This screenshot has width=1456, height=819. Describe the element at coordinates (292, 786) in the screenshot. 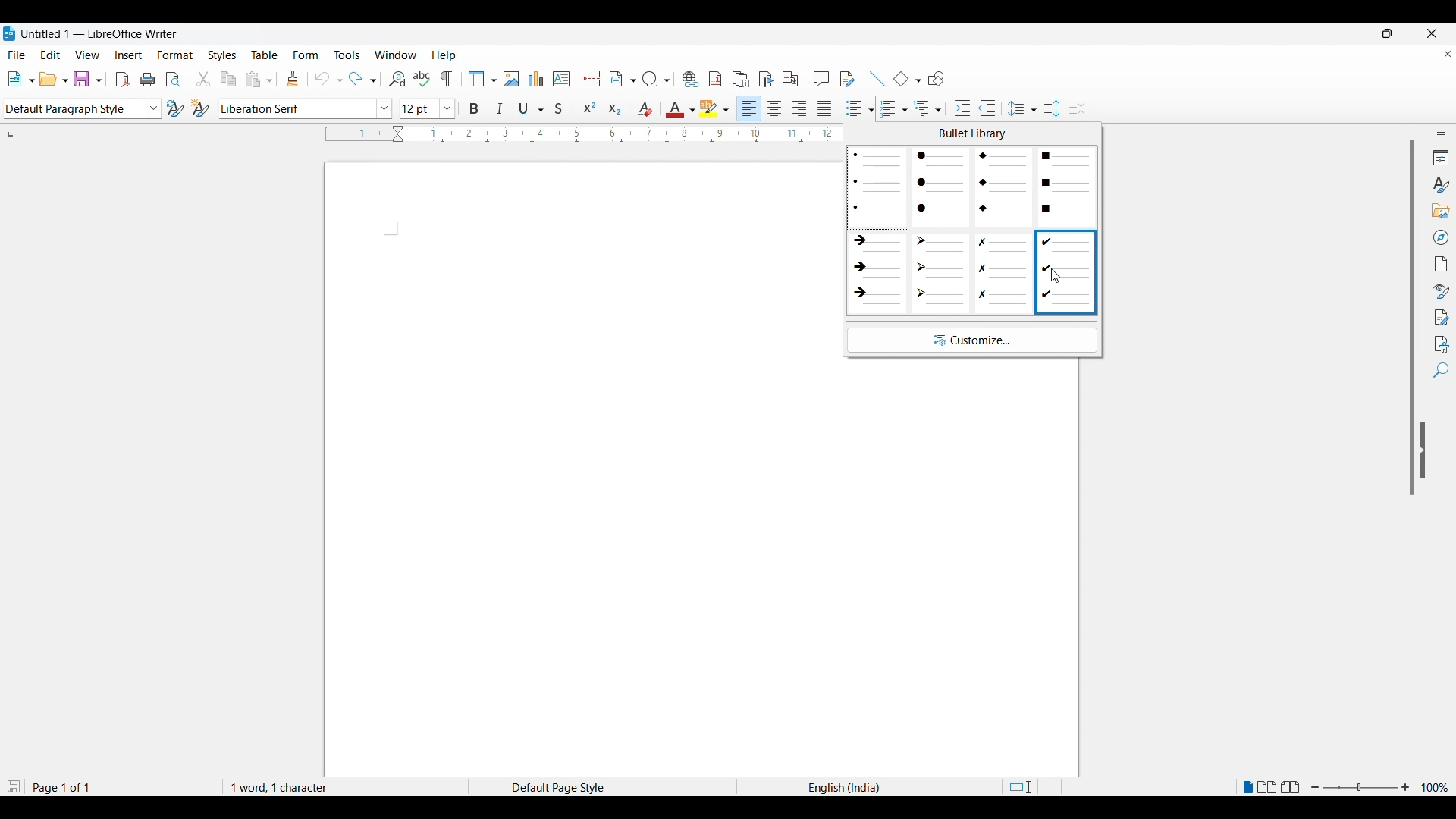

I see `1 words, 1 characters` at that location.